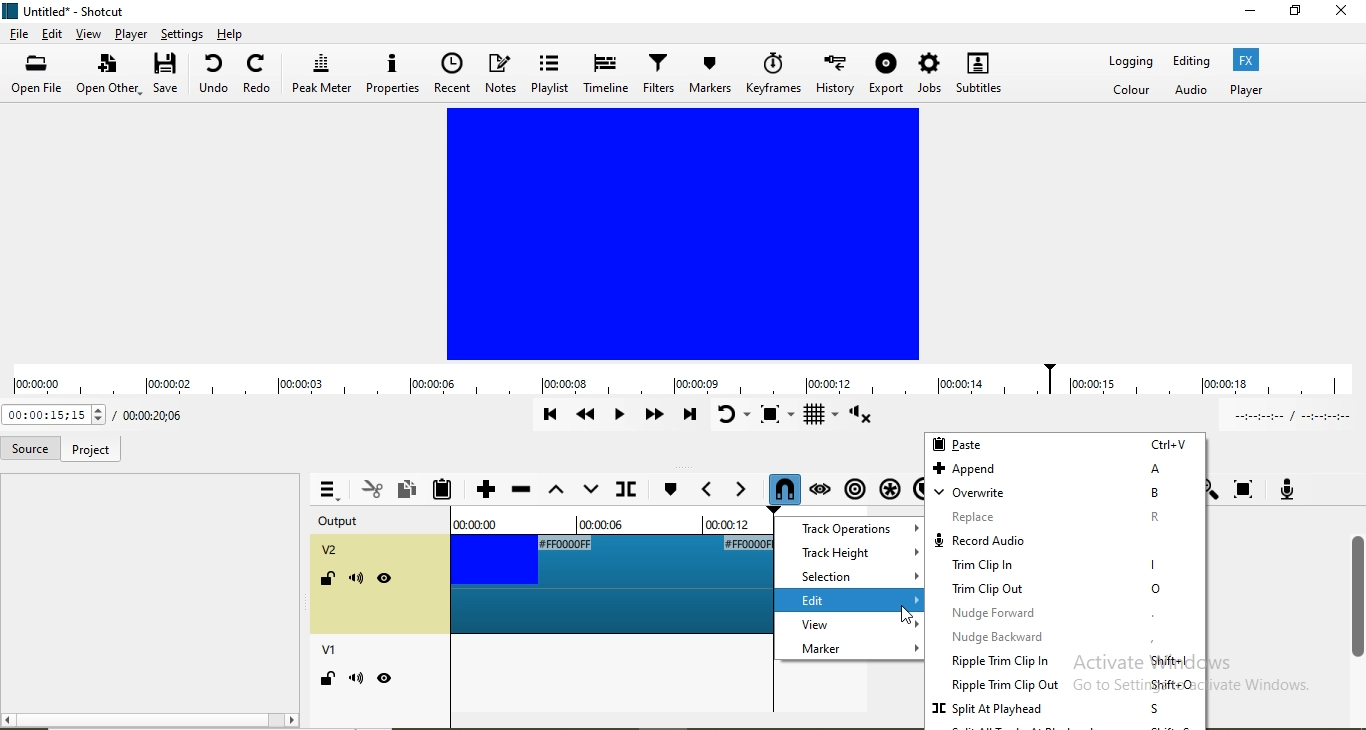 The image size is (1366, 730). Describe the element at coordinates (886, 484) in the screenshot. I see `Ripple all tracks` at that location.